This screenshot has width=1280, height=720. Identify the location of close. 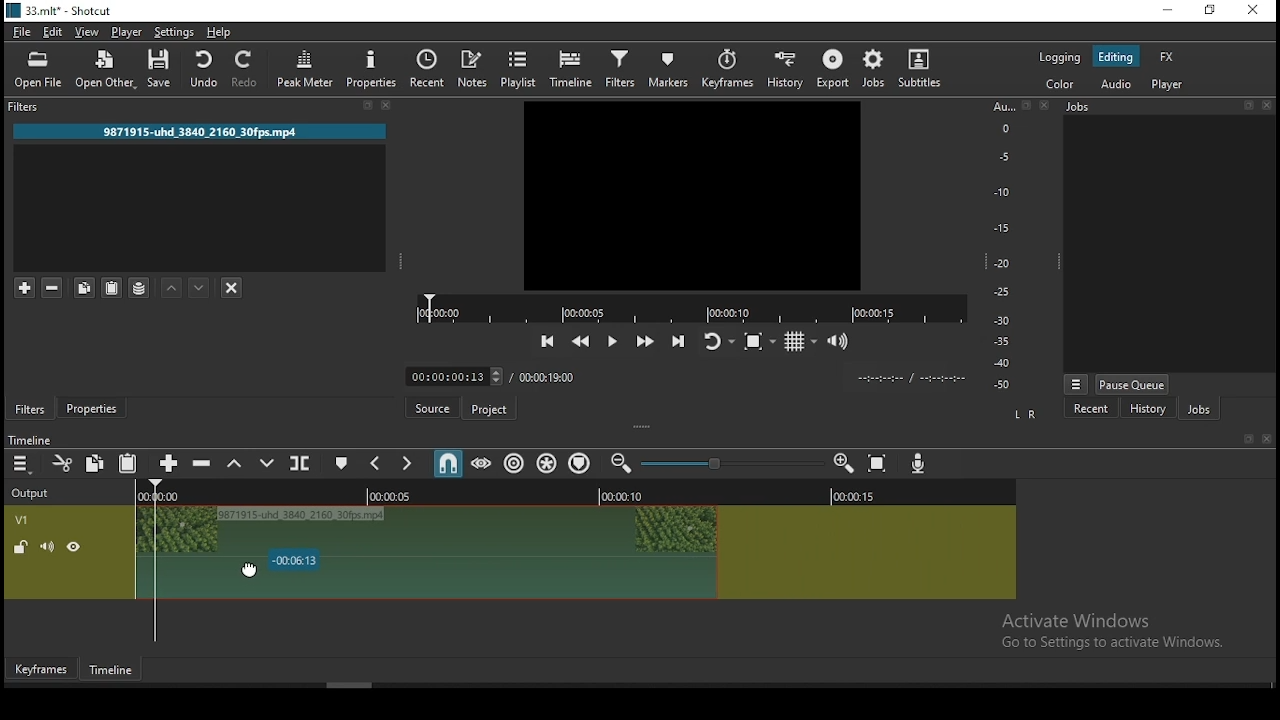
(1044, 107).